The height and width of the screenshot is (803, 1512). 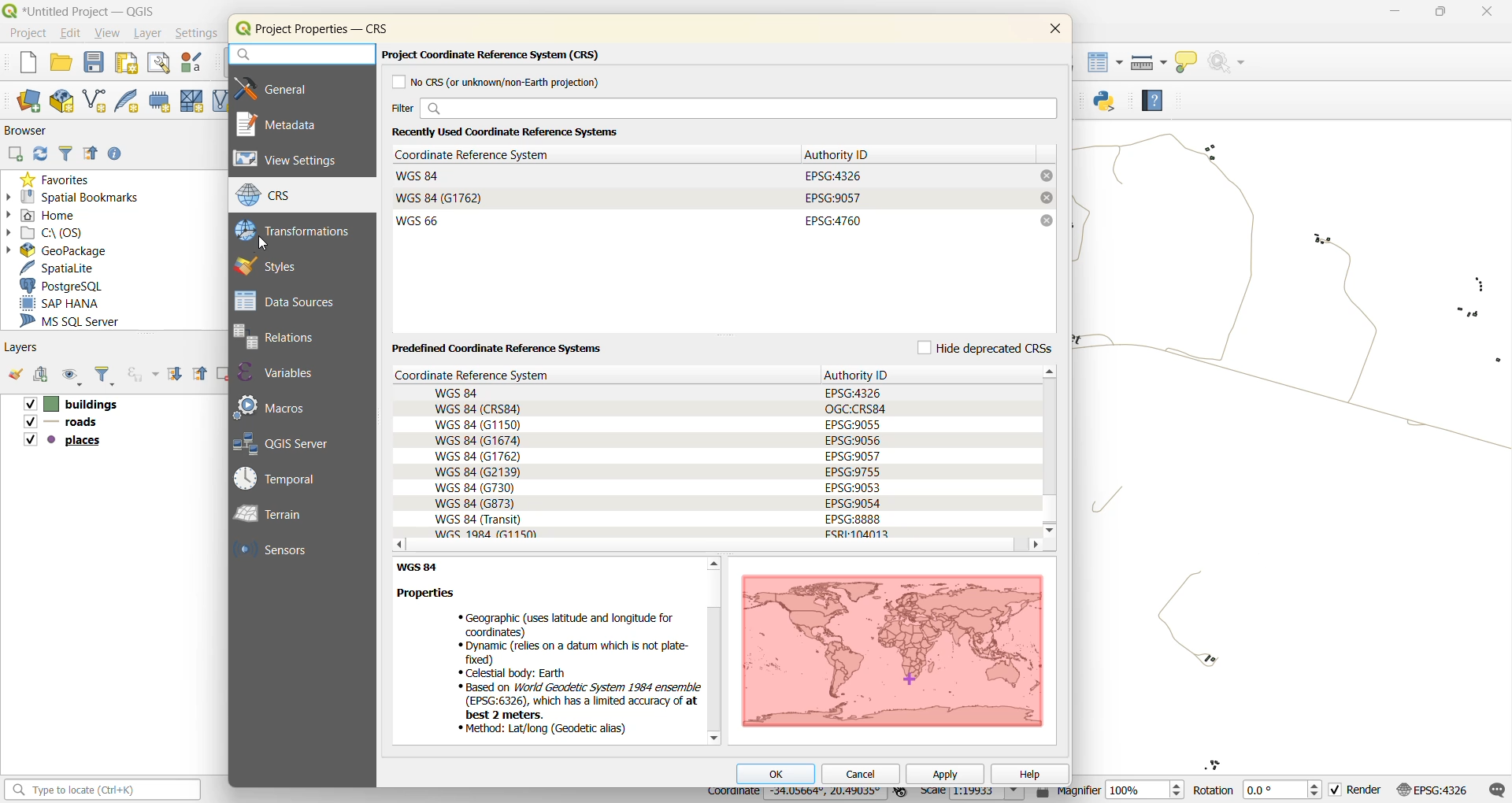 What do you see at coordinates (175, 372) in the screenshot?
I see `expand all` at bounding box center [175, 372].